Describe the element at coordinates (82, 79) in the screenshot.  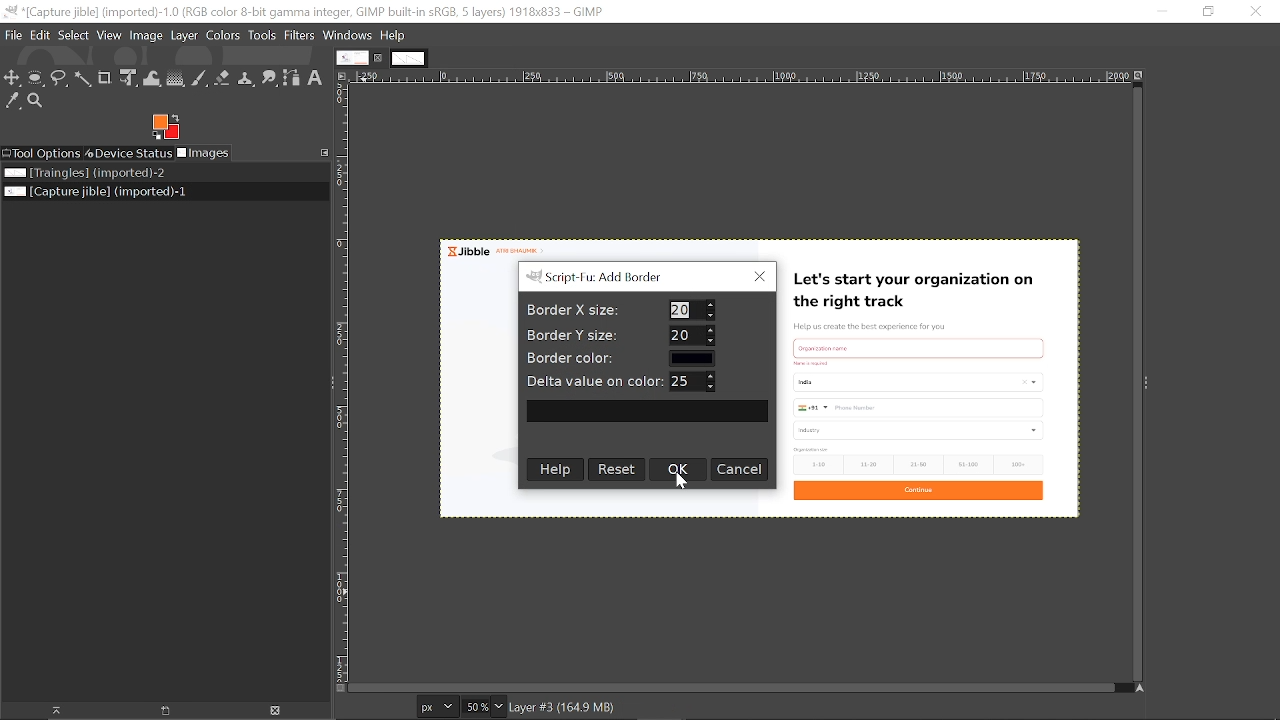
I see `Fuzzy select tool` at that location.